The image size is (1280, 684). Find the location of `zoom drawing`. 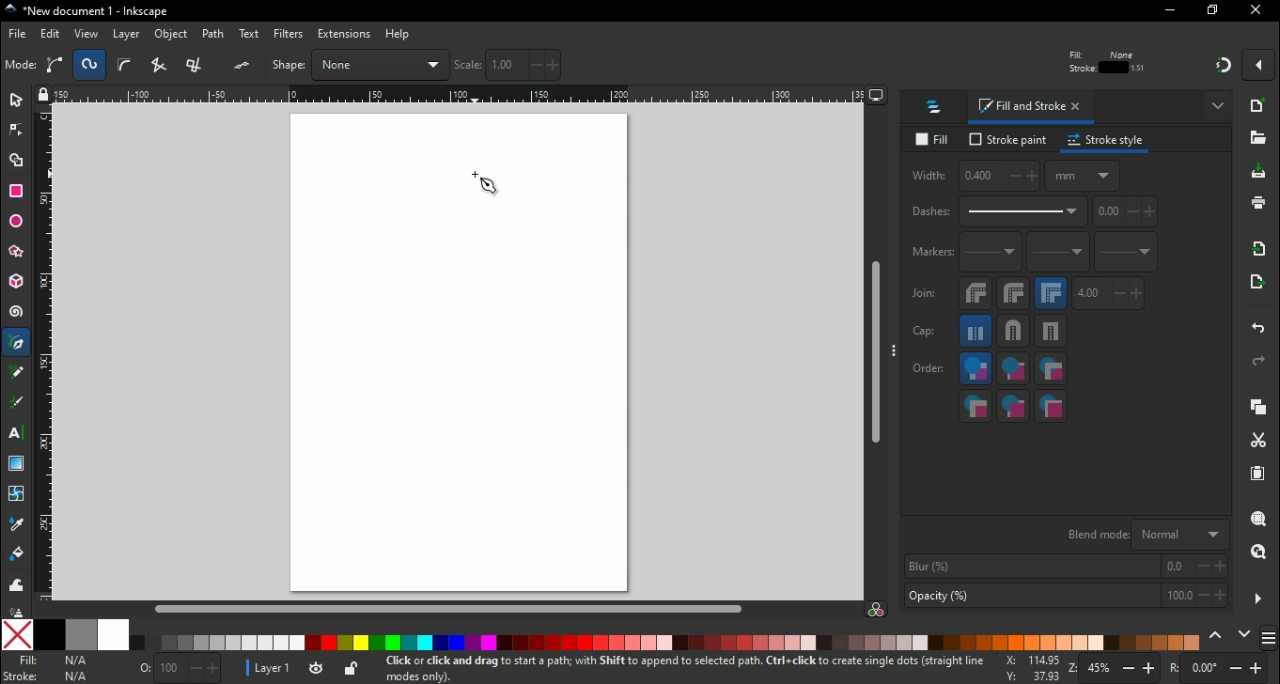

zoom drawing is located at coordinates (1258, 553).